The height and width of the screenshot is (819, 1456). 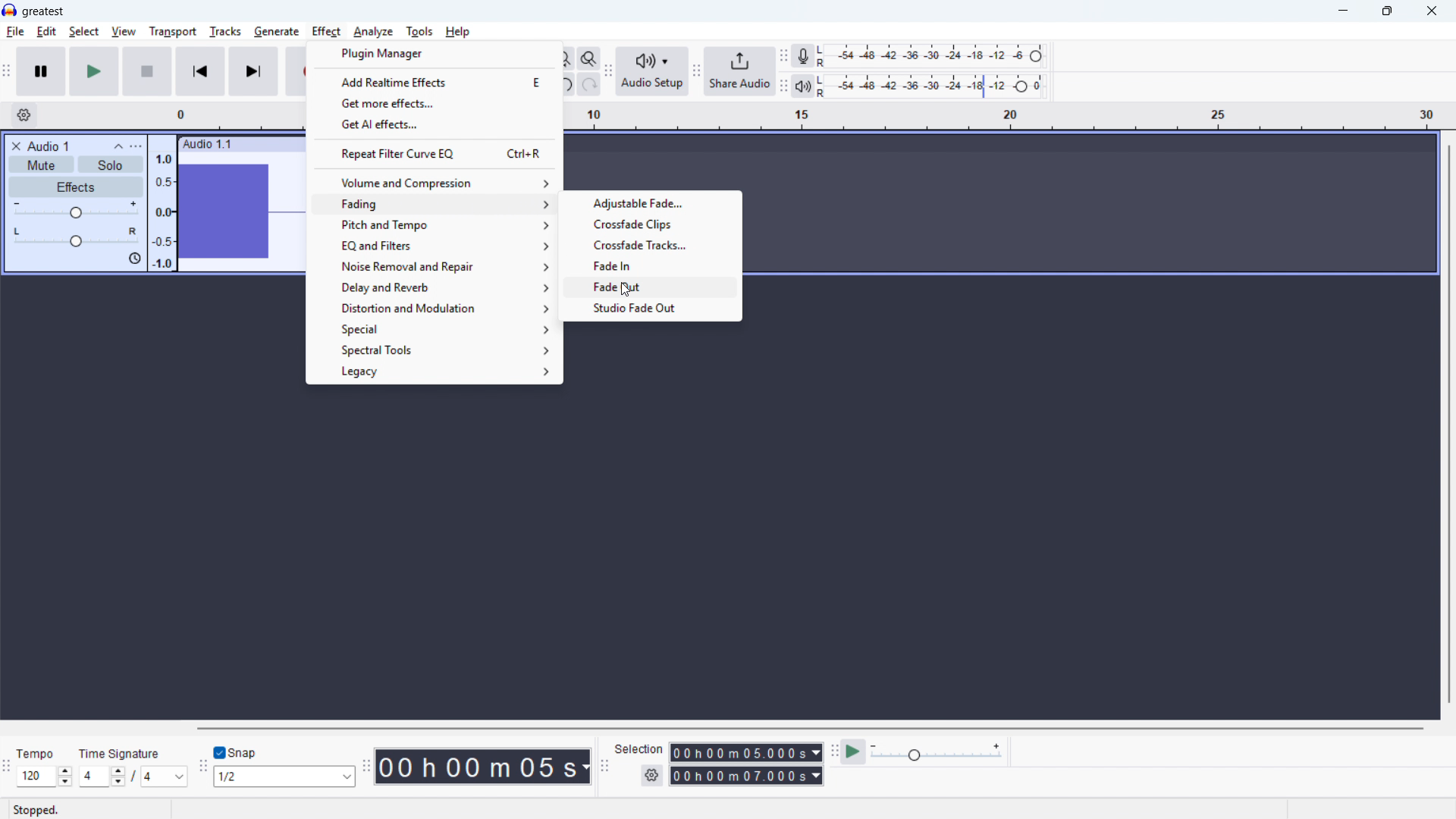 I want to click on Pan: Centre , so click(x=76, y=238).